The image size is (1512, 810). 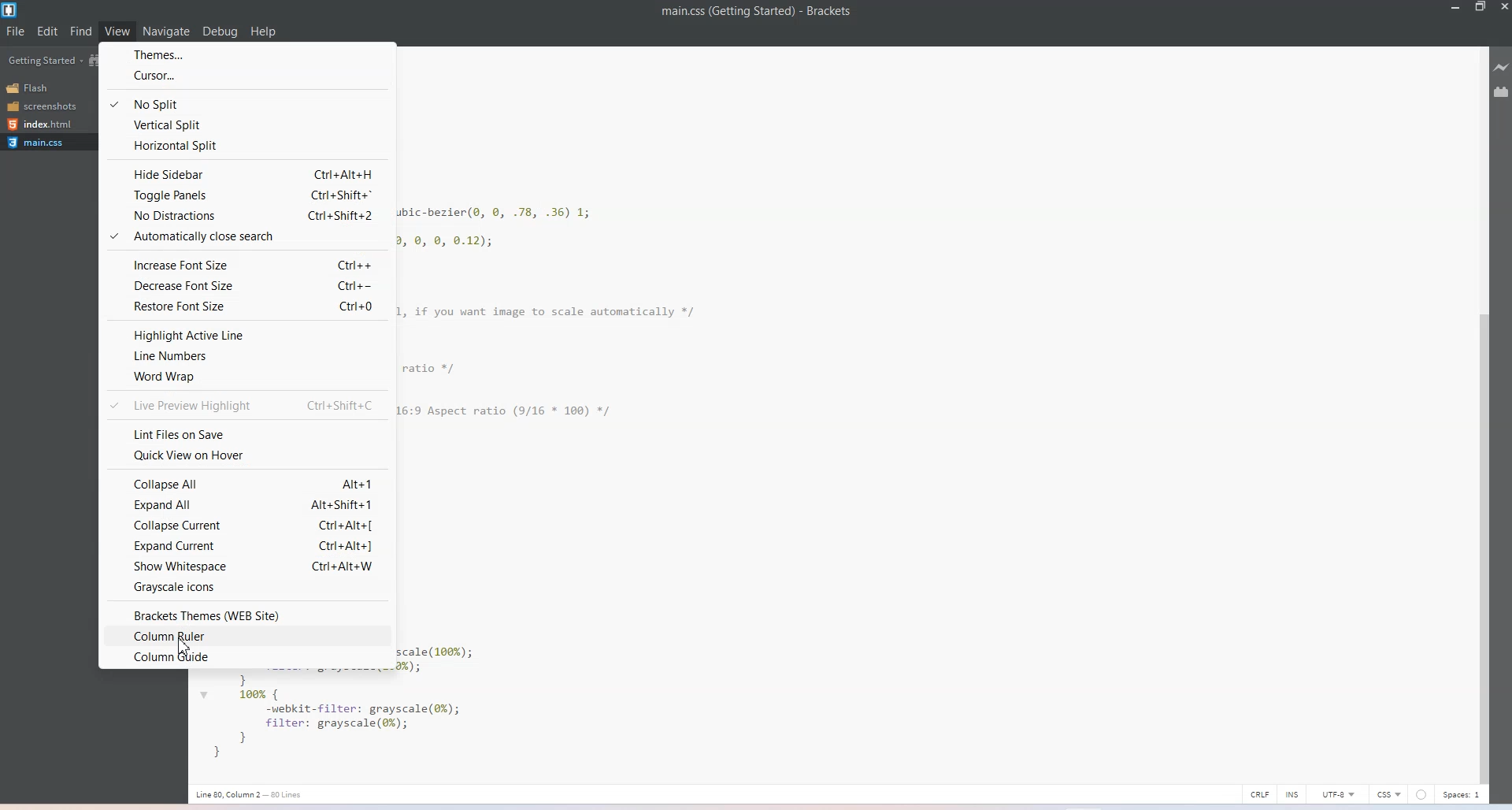 I want to click on Theme, so click(x=246, y=53).